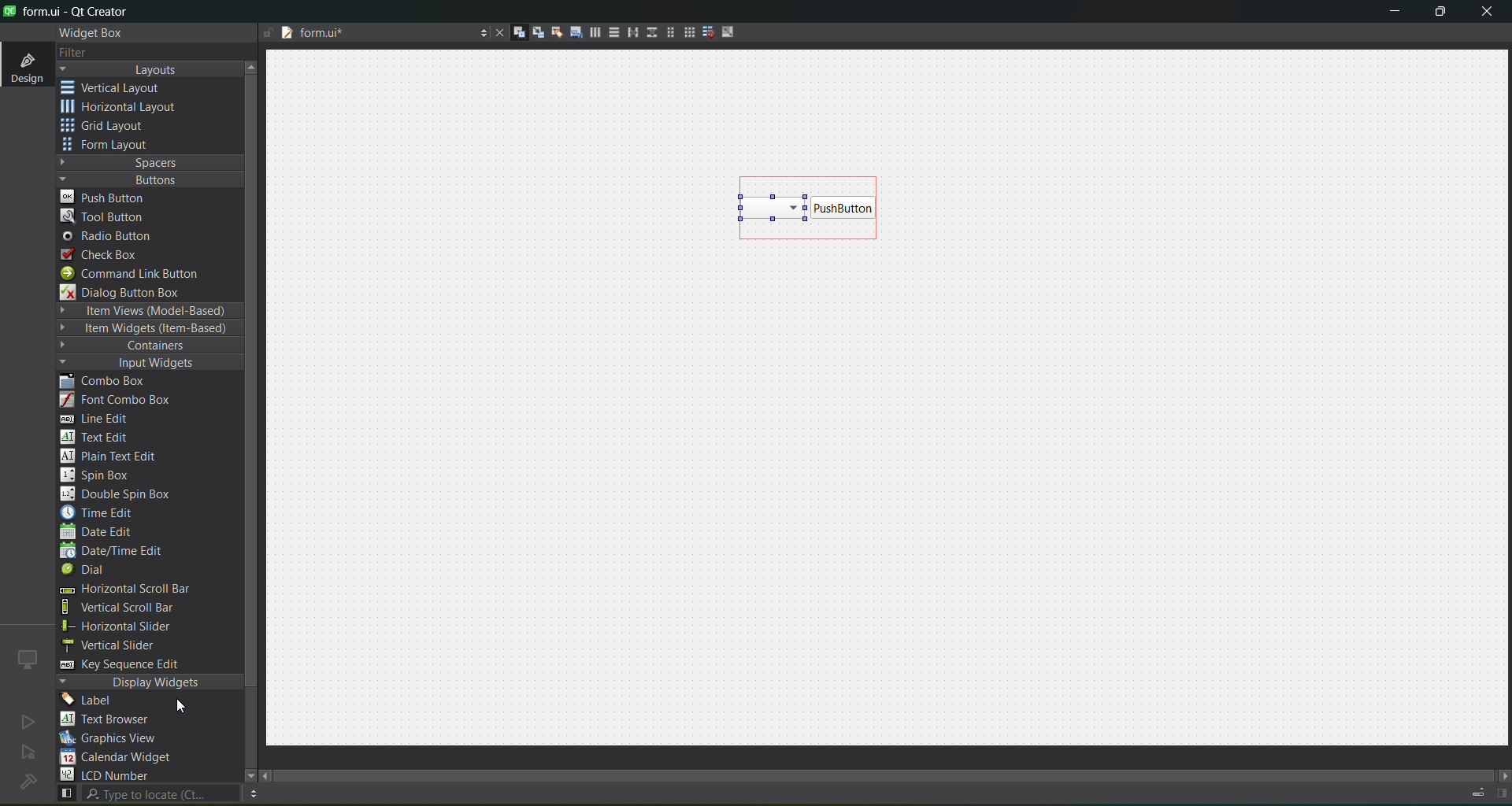 Image resolution: width=1512 pixels, height=806 pixels. I want to click on options, so click(479, 35).